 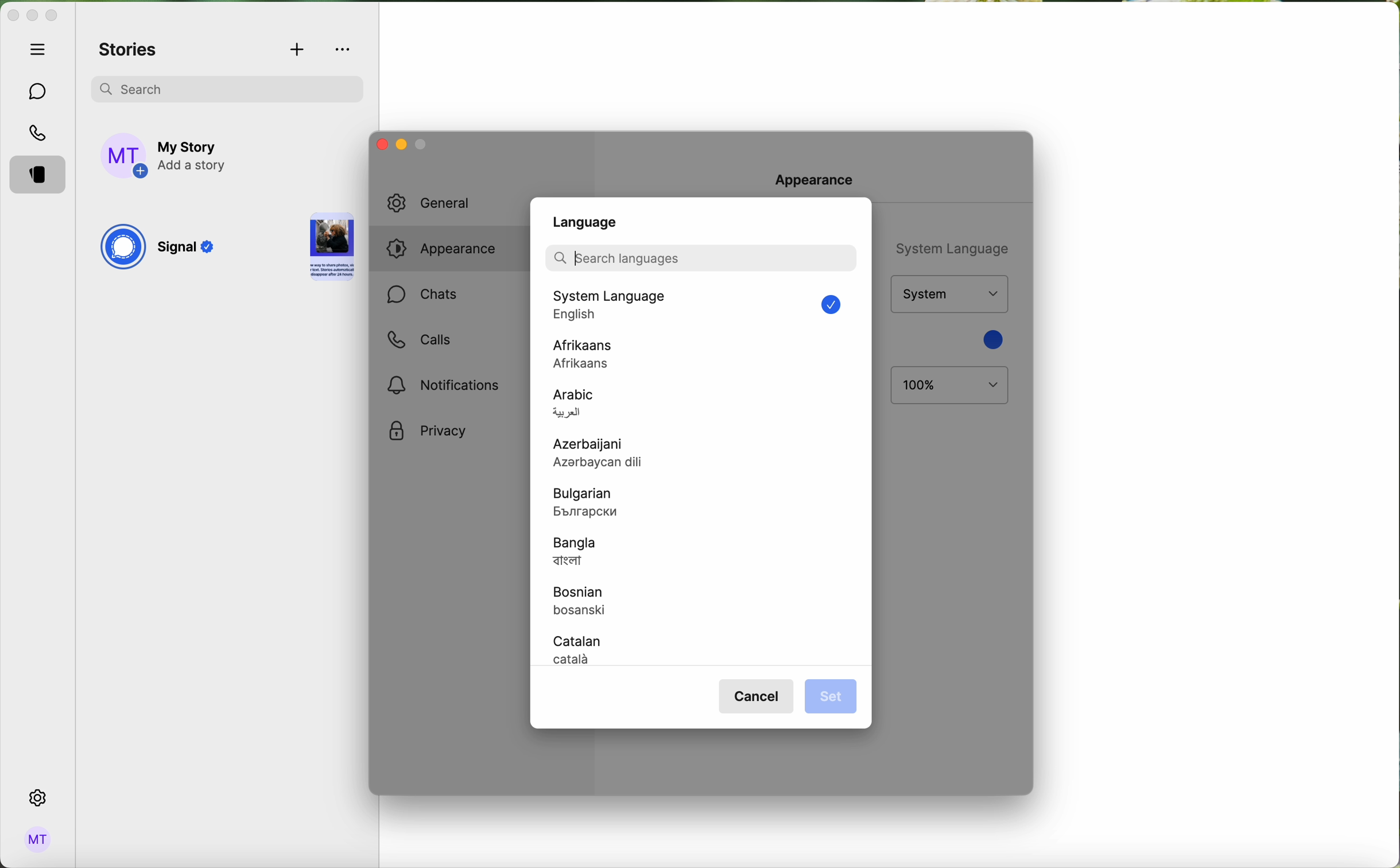 What do you see at coordinates (700, 257) in the screenshot?
I see `search bar` at bounding box center [700, 257].